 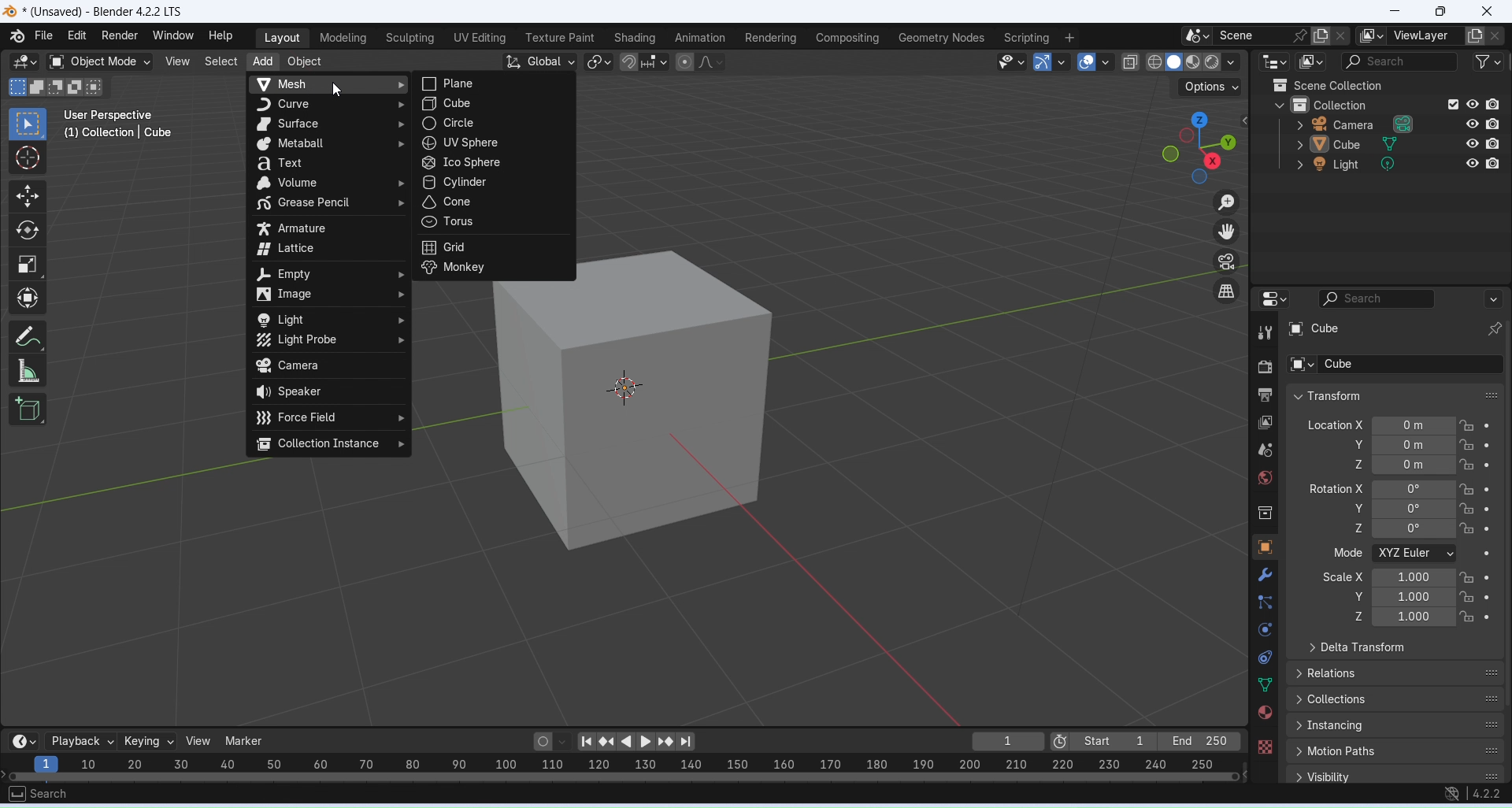 I want to click on Switch the current view, so click(x=1228, y=291).